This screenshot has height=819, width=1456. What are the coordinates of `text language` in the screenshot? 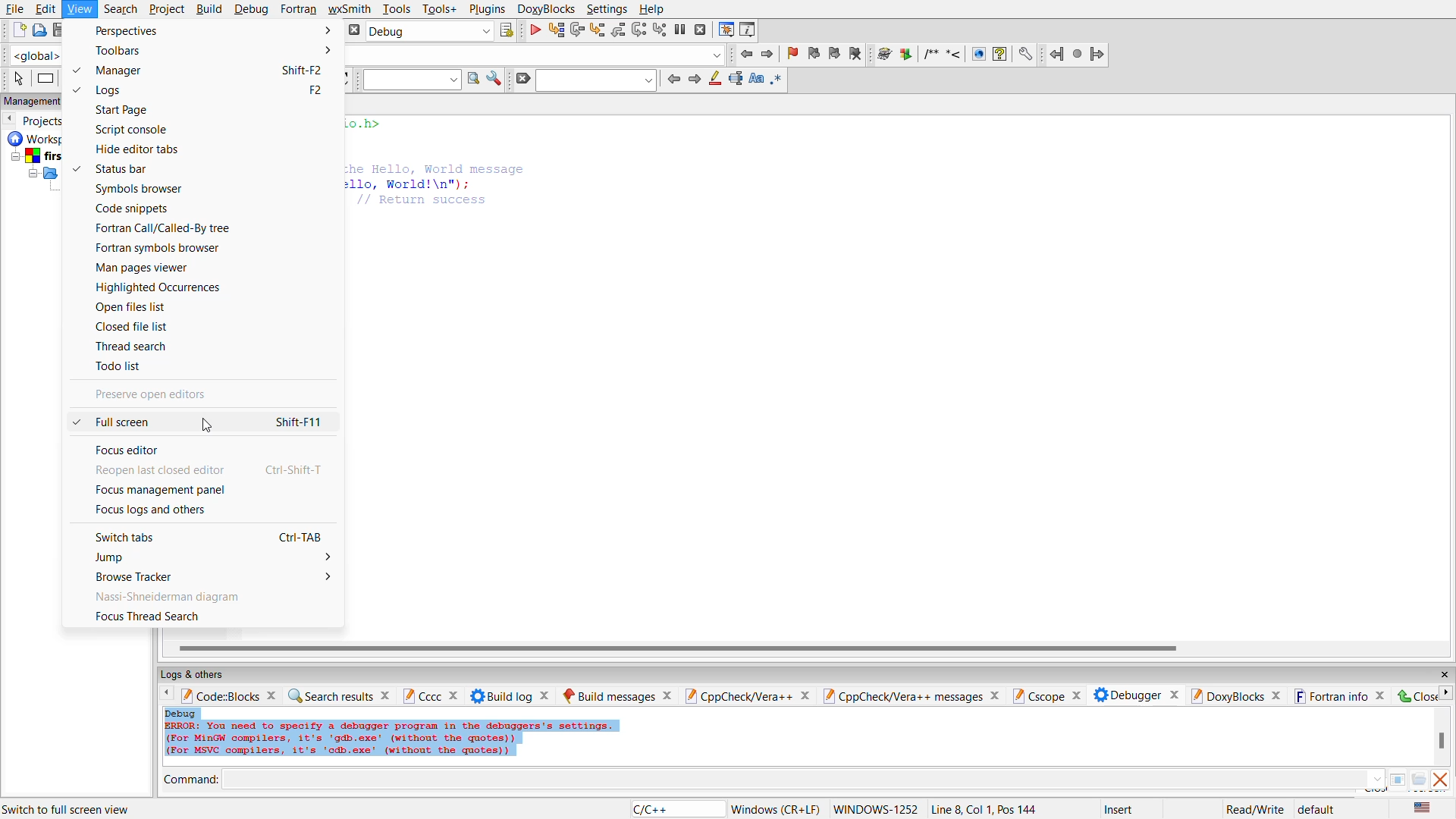 It's located at (1425, 808).